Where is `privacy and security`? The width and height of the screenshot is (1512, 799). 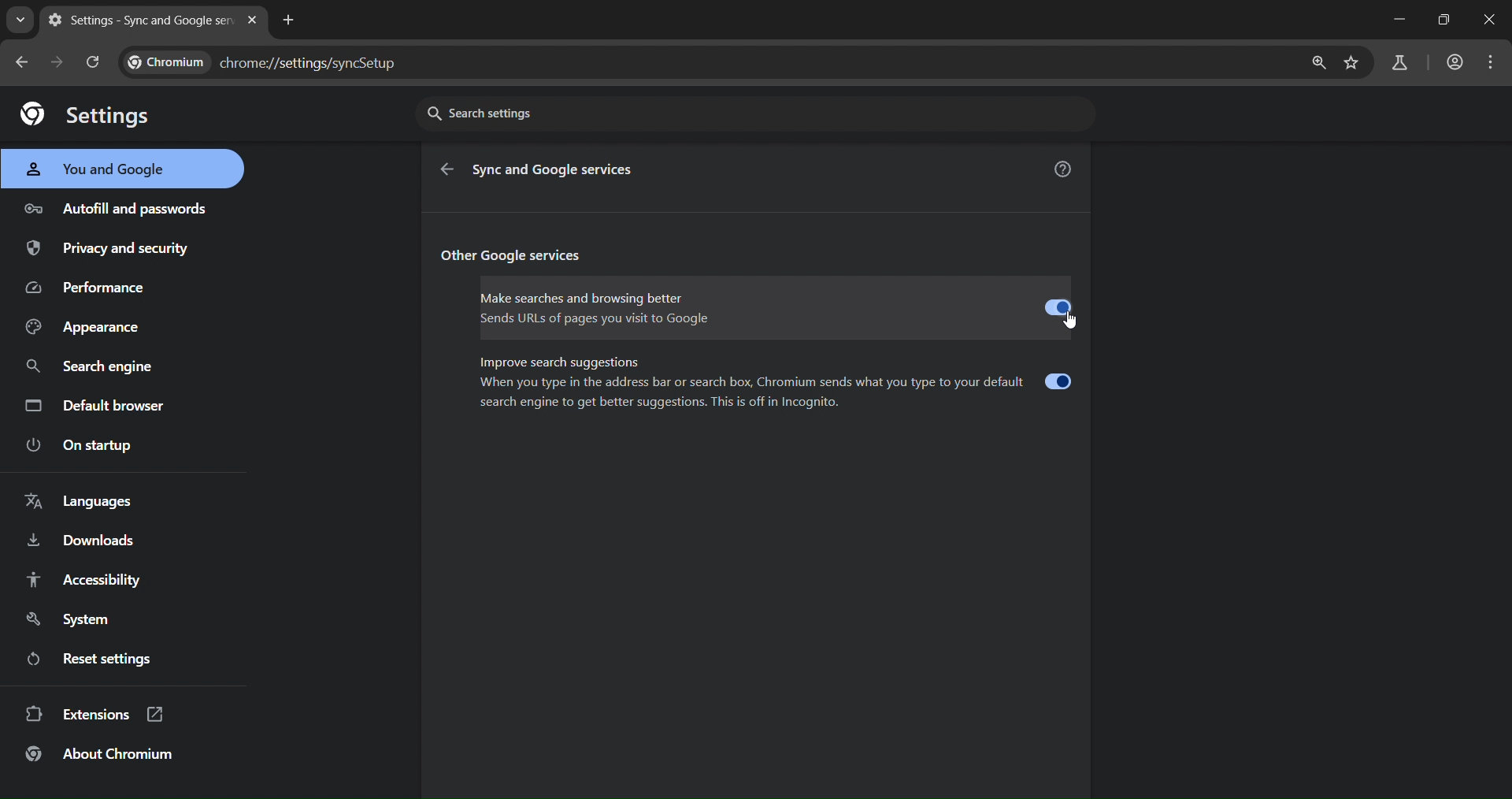 privacy and security is located at coordinates (124, 250).